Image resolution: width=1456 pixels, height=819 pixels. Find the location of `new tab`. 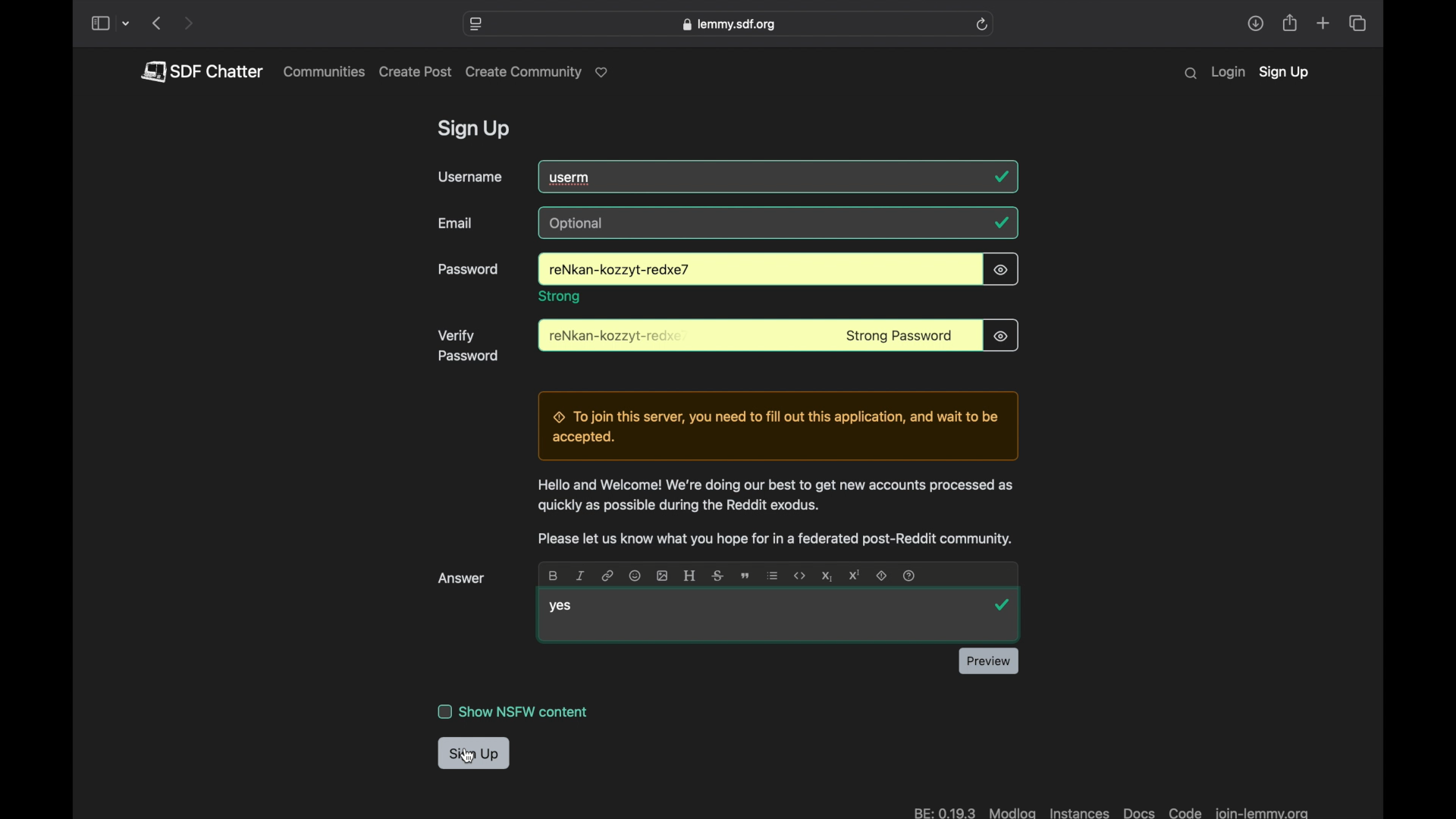

new tab is located at coordinates (1324, 23).